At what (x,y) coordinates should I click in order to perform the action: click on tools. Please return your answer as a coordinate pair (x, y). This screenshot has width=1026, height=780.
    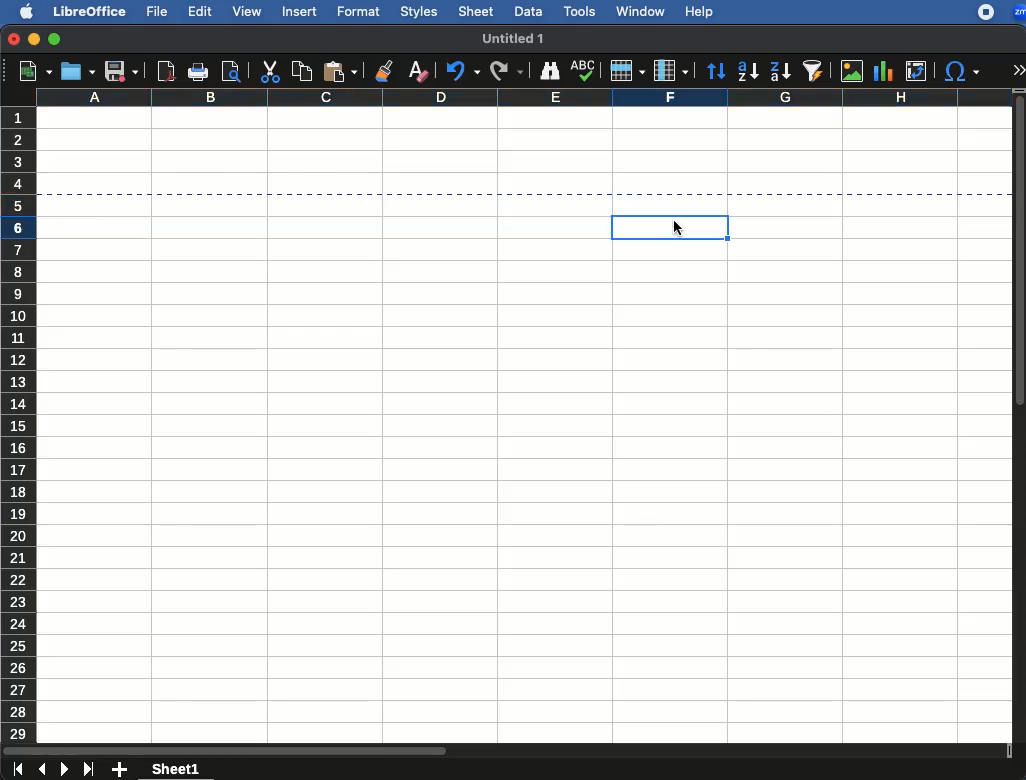
    Looking at the image, I should click on (581, 11).